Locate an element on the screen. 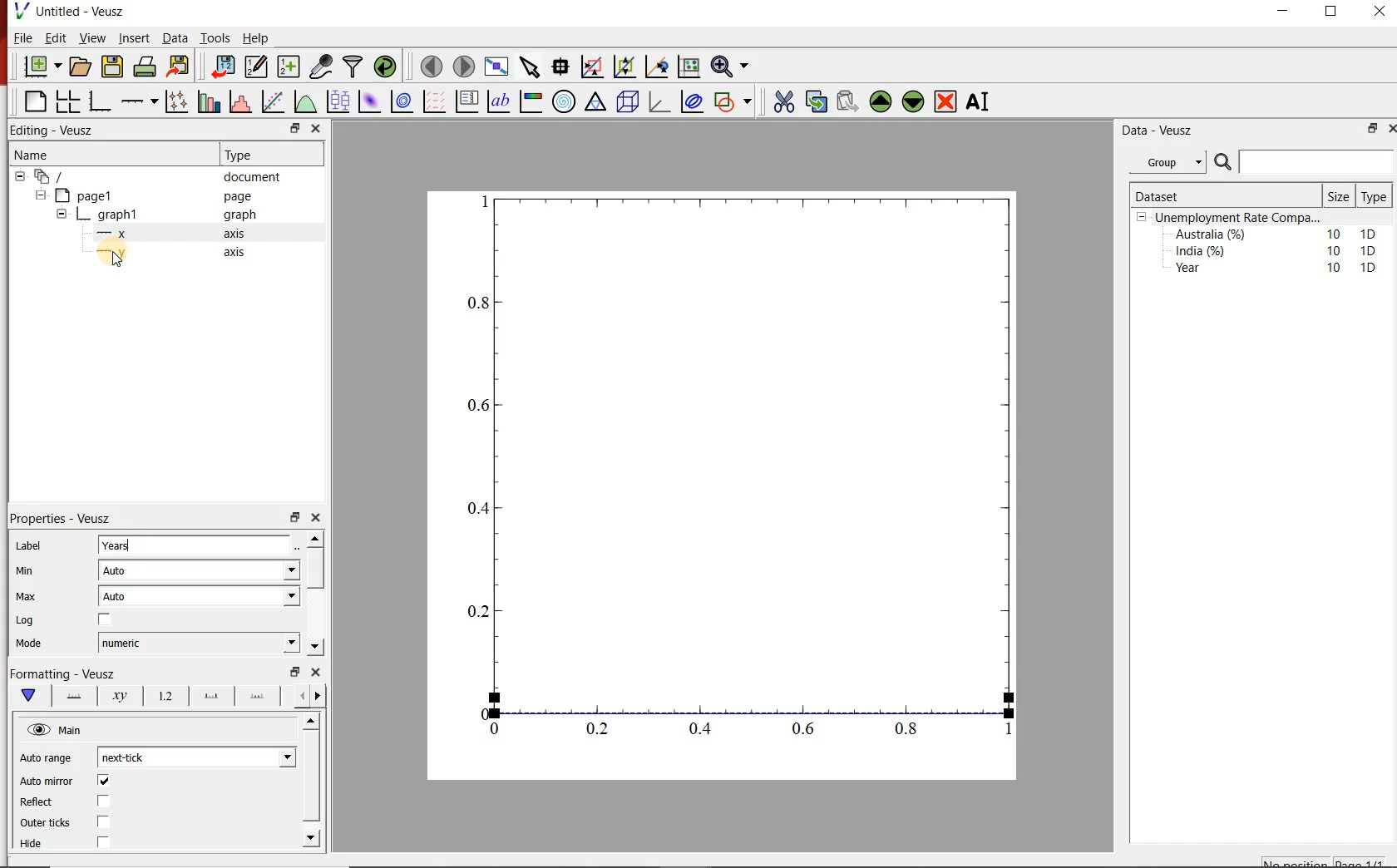 The height and width of the screenshot is (868, 1397). plot box plots is located at coordinates (338, 101).